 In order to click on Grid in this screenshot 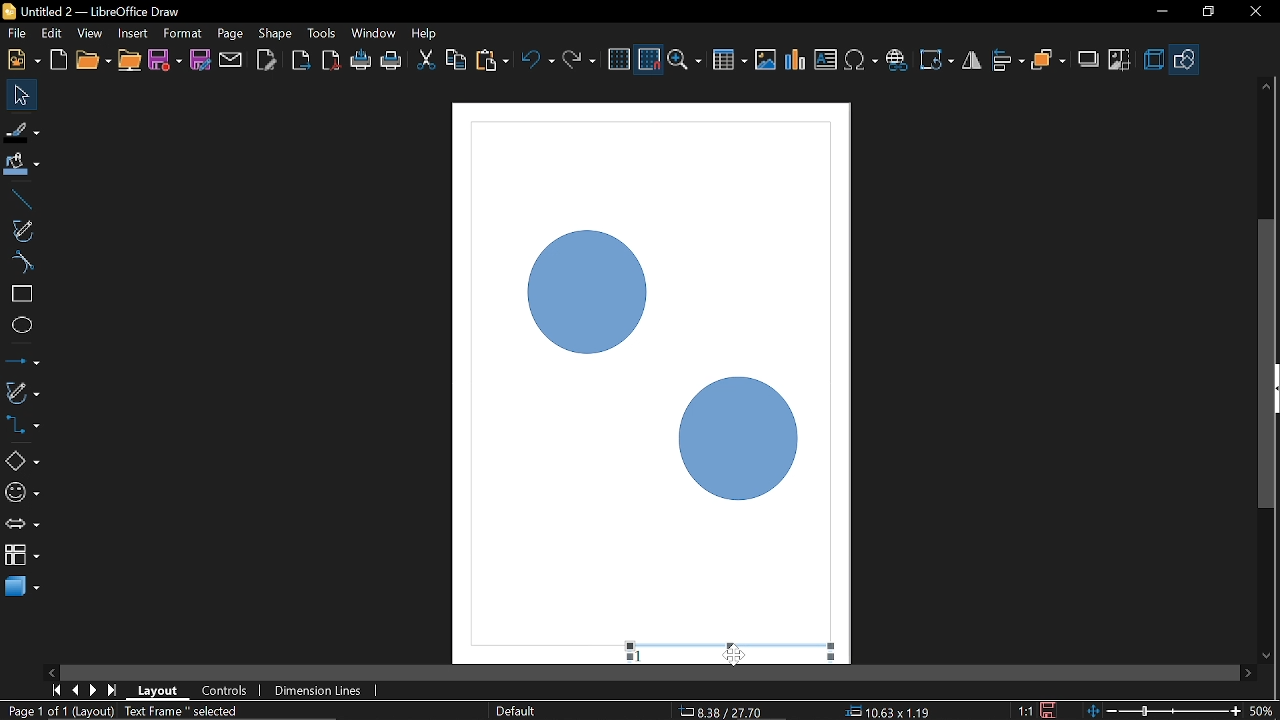, I will do `click(619, 60)`.